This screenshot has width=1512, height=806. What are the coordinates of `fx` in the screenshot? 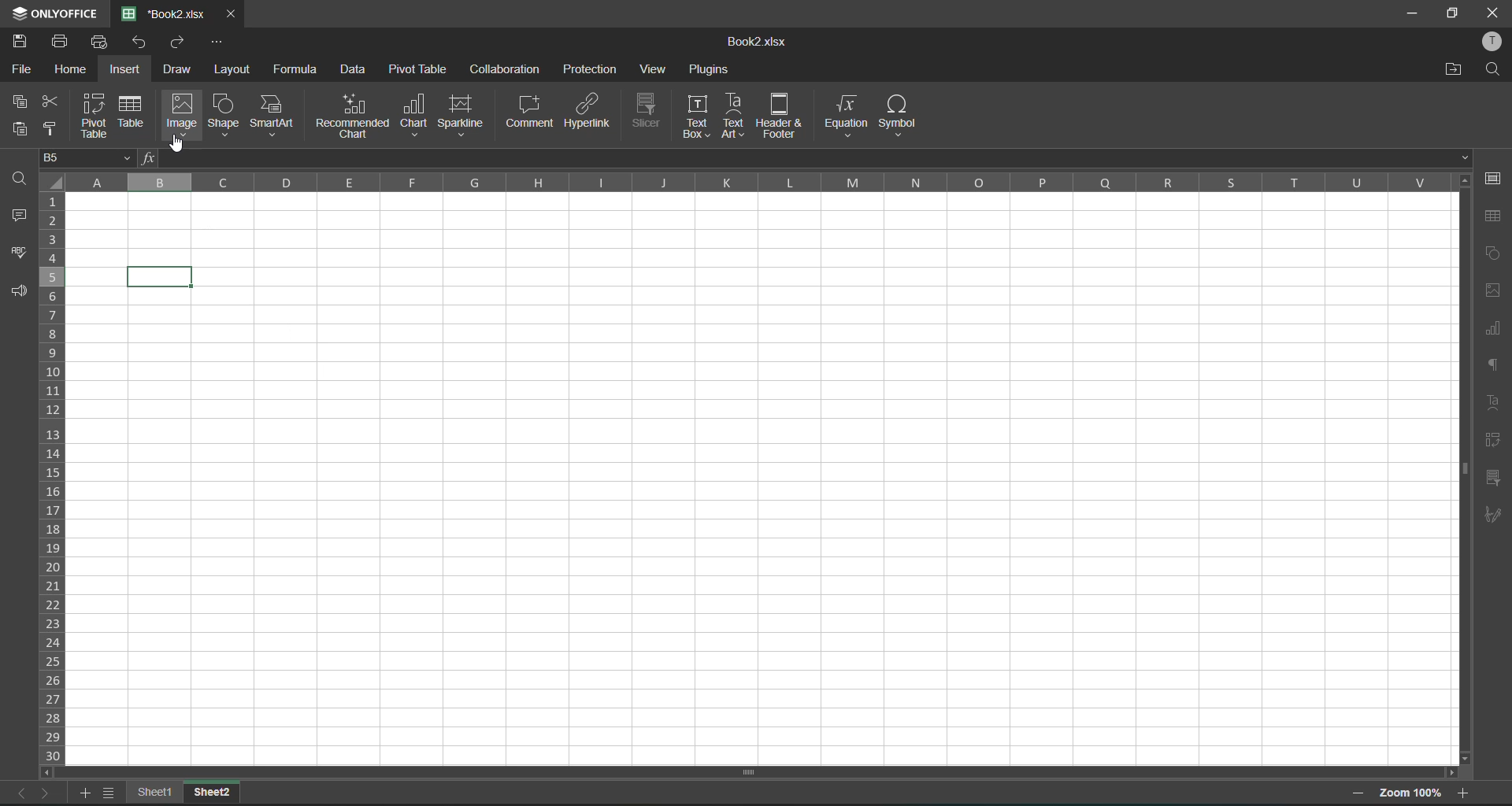 It's located at (144, 158).